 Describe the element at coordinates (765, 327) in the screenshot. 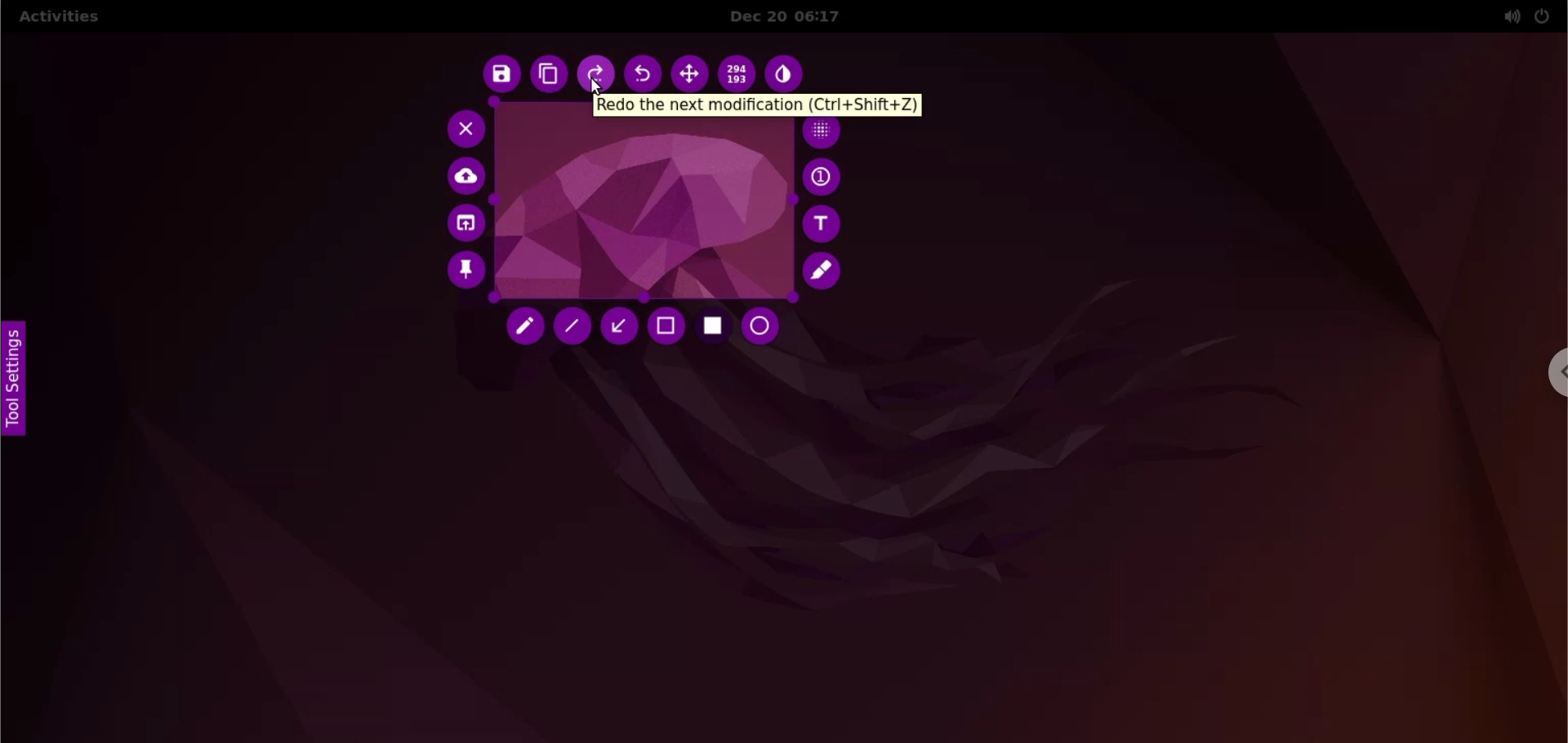

I see `circle tool` at that location.